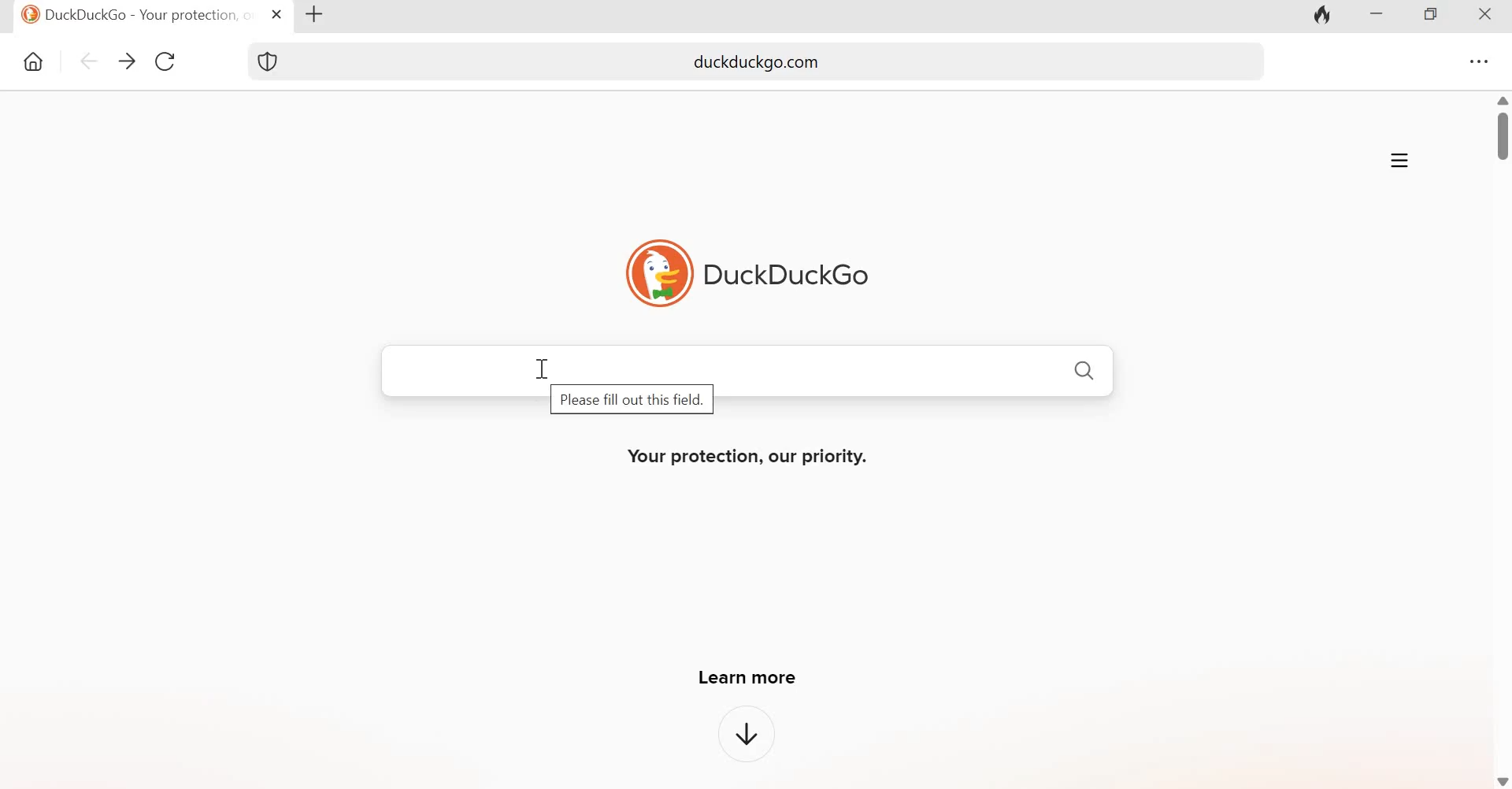 Image resolution: width=1512 pixels, height=789 pixels. Describe the element at coordinates (1480, 60) in the screenshot. I see `Settings` at that location.